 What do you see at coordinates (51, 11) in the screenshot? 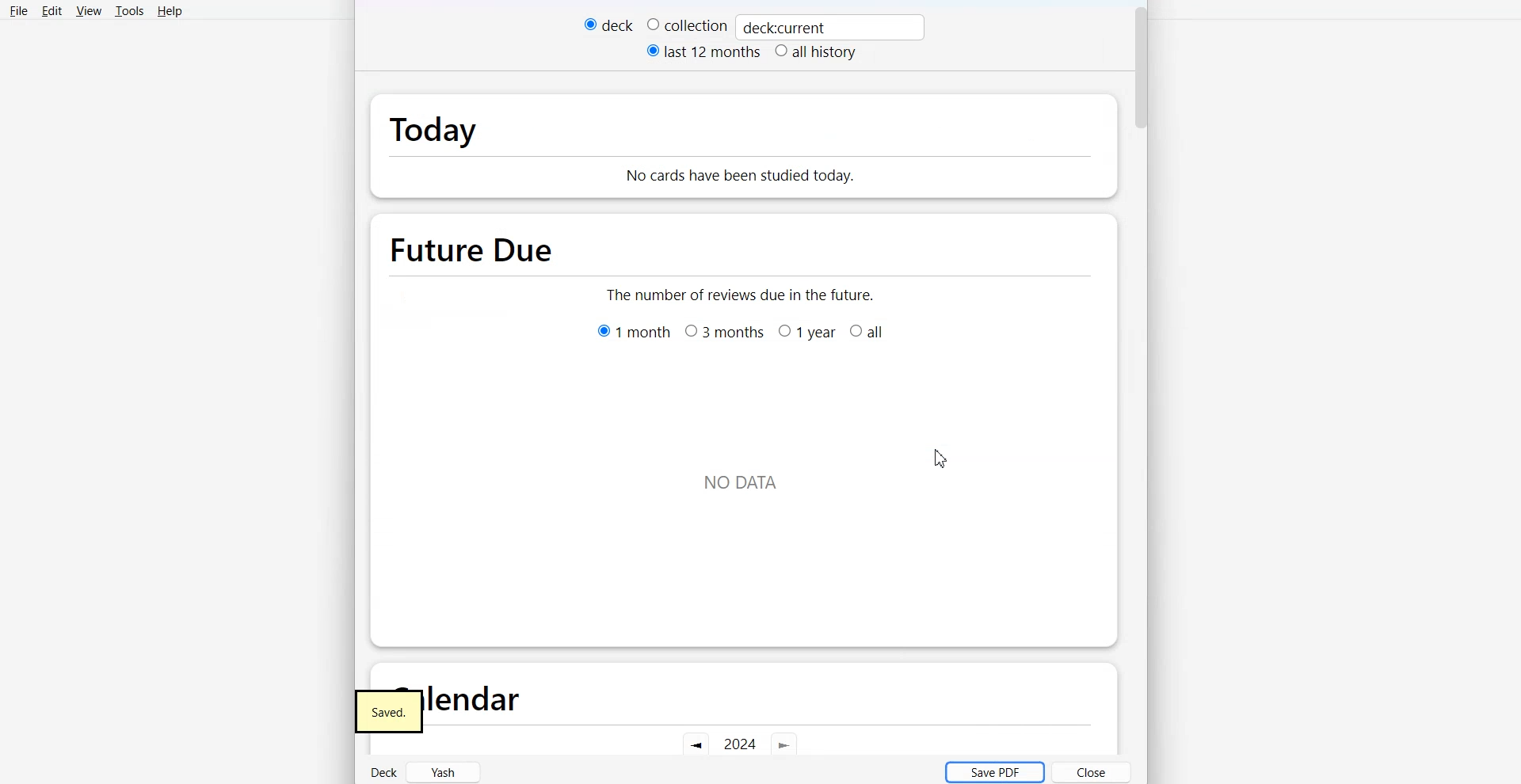
I see `Edit` at bounding box center [51, 11].